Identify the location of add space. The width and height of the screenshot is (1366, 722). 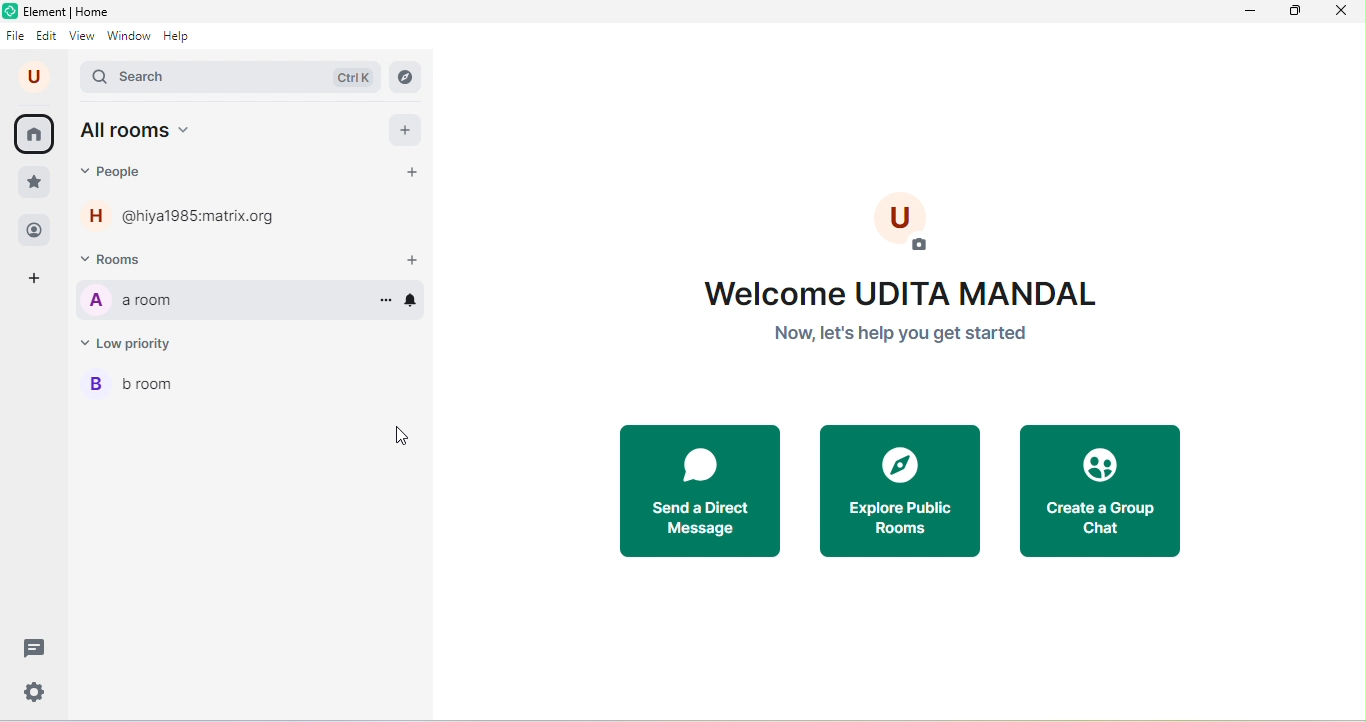
(34, 277).